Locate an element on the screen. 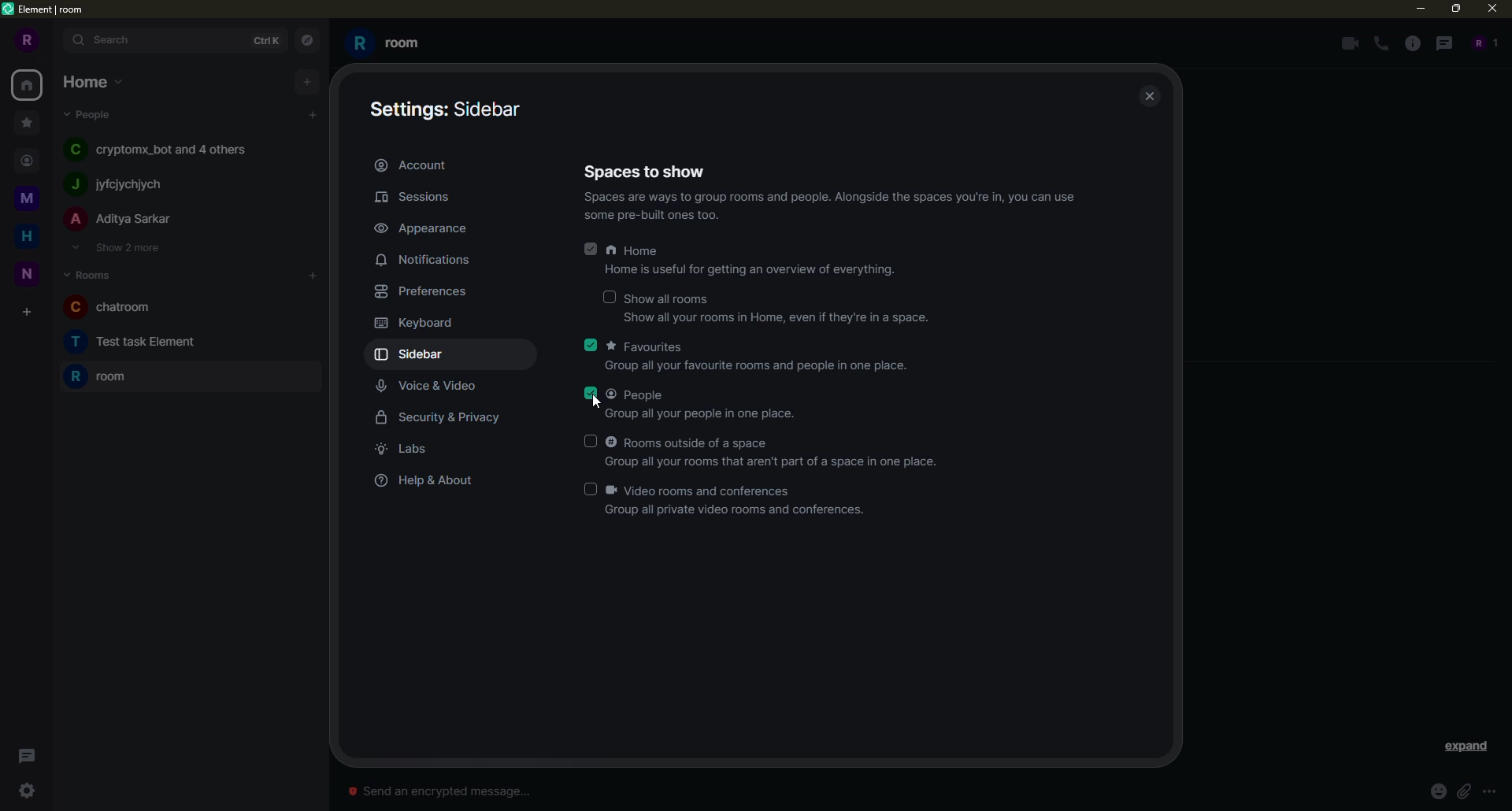  close is located at coordinates (1154, 97).